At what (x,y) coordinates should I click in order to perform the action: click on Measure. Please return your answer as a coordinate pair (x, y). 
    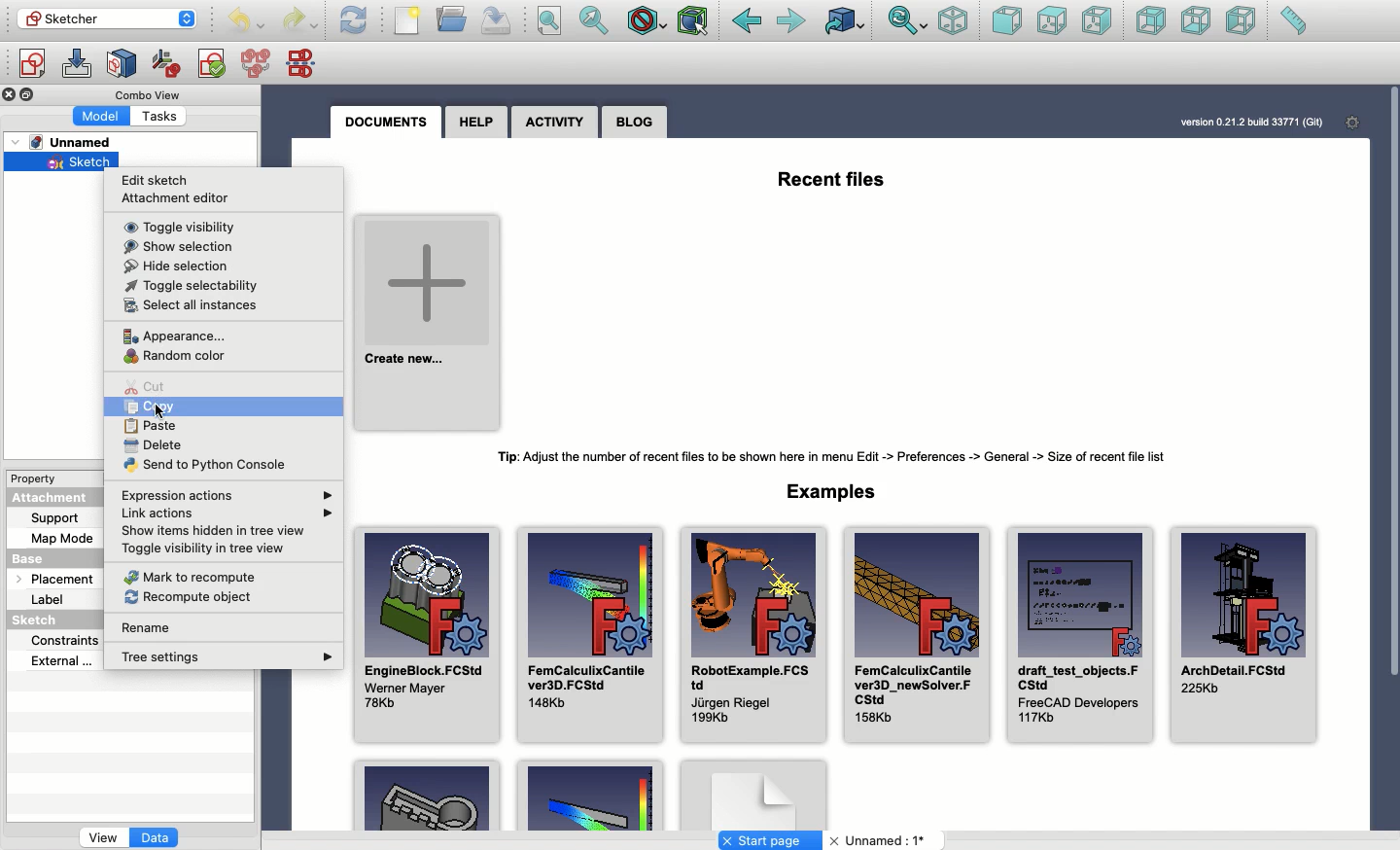
    Looking at the image, I should click on (1293, 20).